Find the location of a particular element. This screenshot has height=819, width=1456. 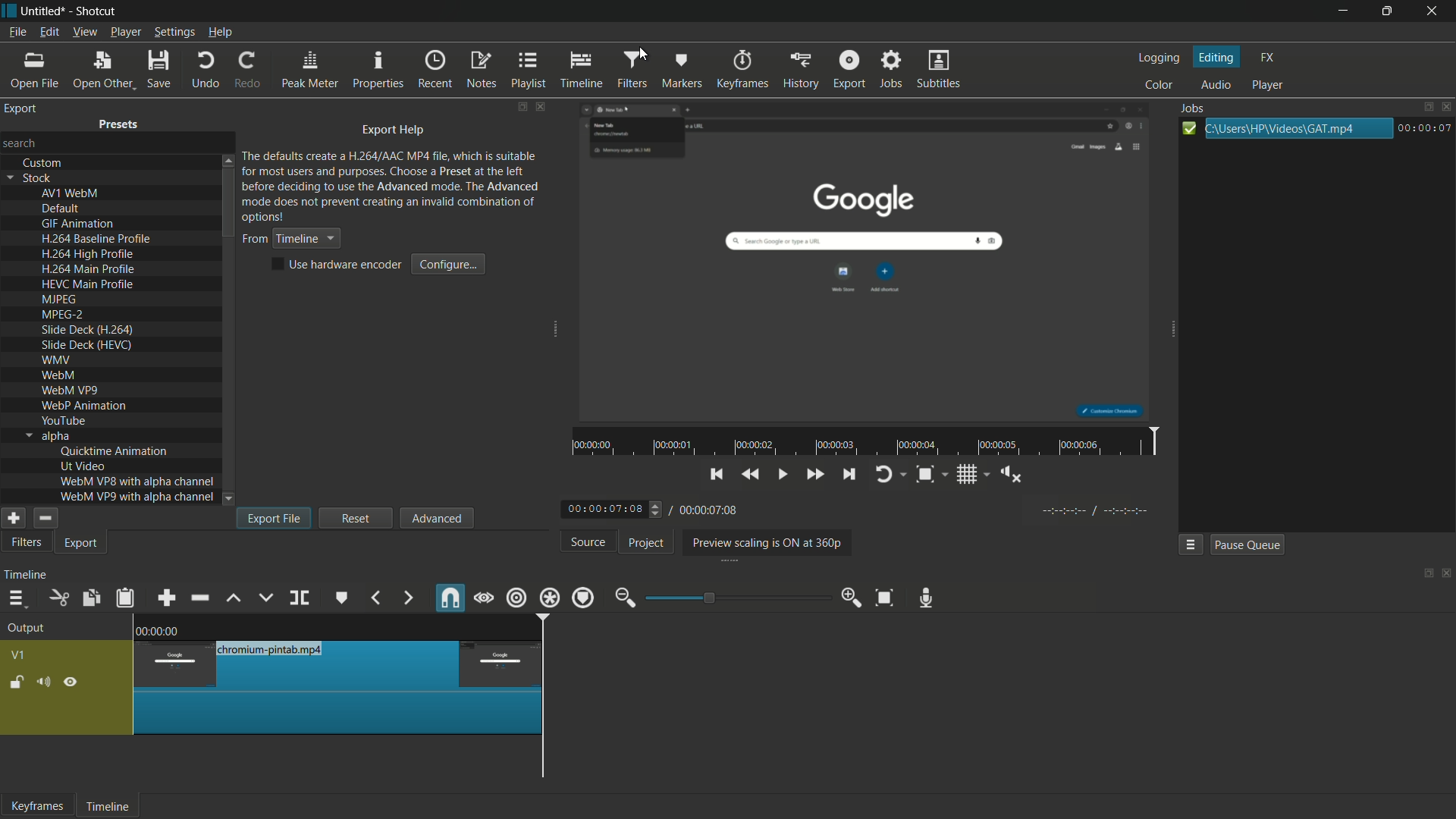

ripple markers is located at coordinates (583, 598).